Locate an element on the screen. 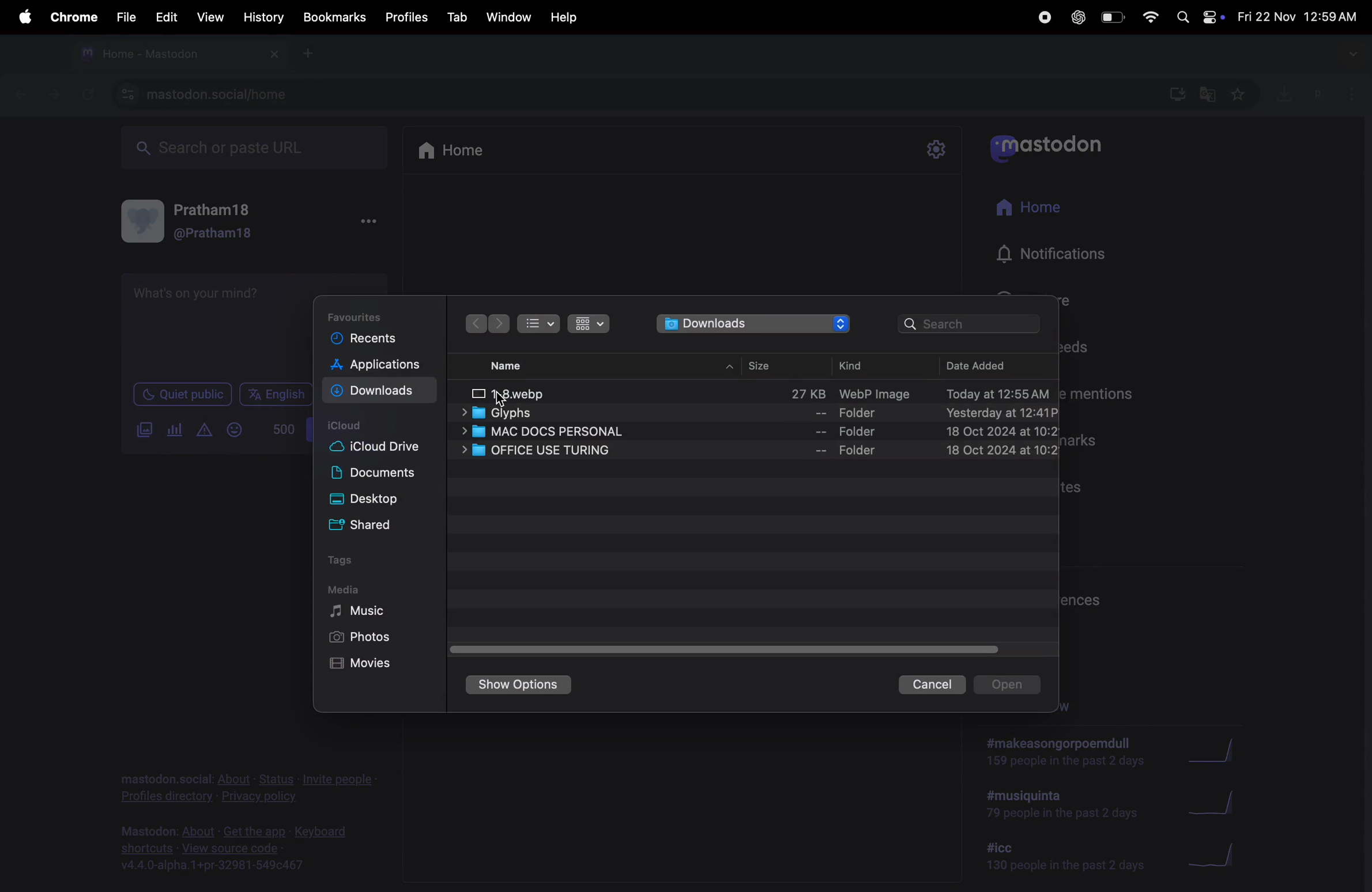 Image resolution: width=1372 pixels, height=892 pixels.  is located at coordinates (404, 19).